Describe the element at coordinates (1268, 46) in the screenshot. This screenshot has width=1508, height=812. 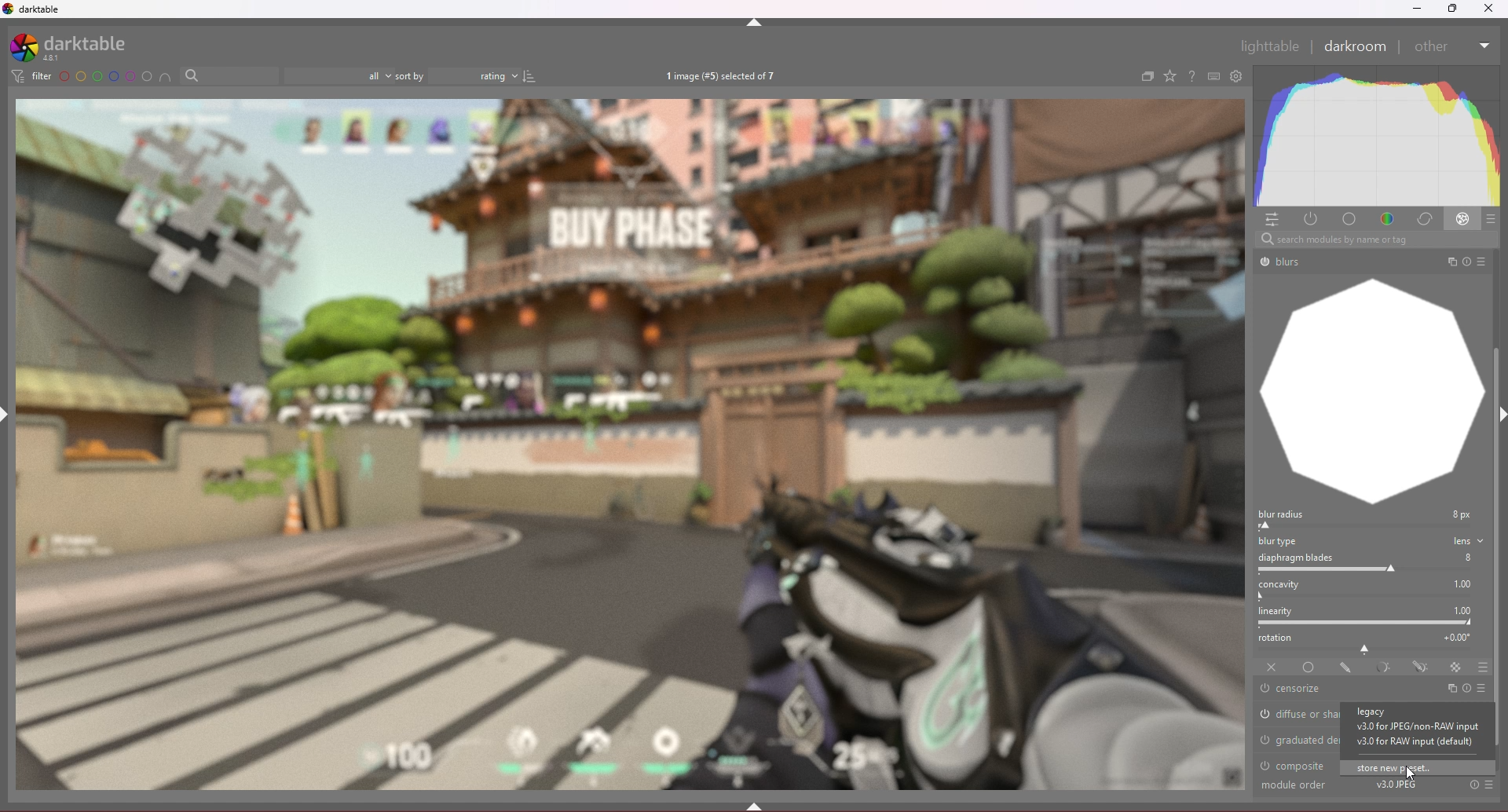
I see `` at that location.